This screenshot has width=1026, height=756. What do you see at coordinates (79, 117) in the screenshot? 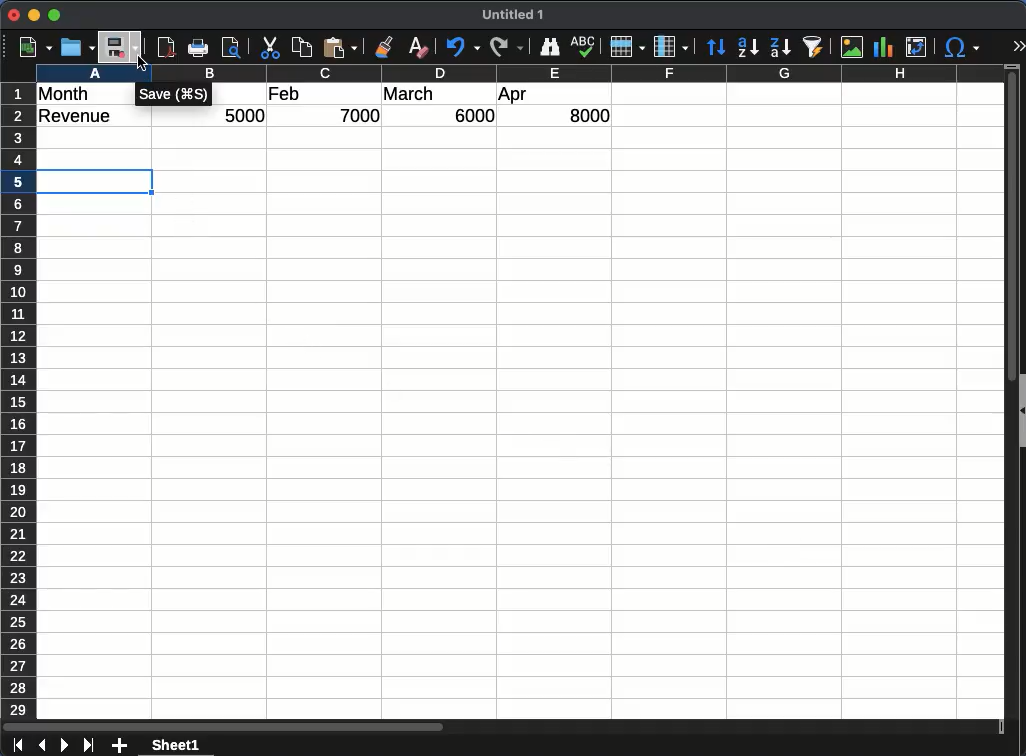
I see `revenue` at bounding box center [79, 117].